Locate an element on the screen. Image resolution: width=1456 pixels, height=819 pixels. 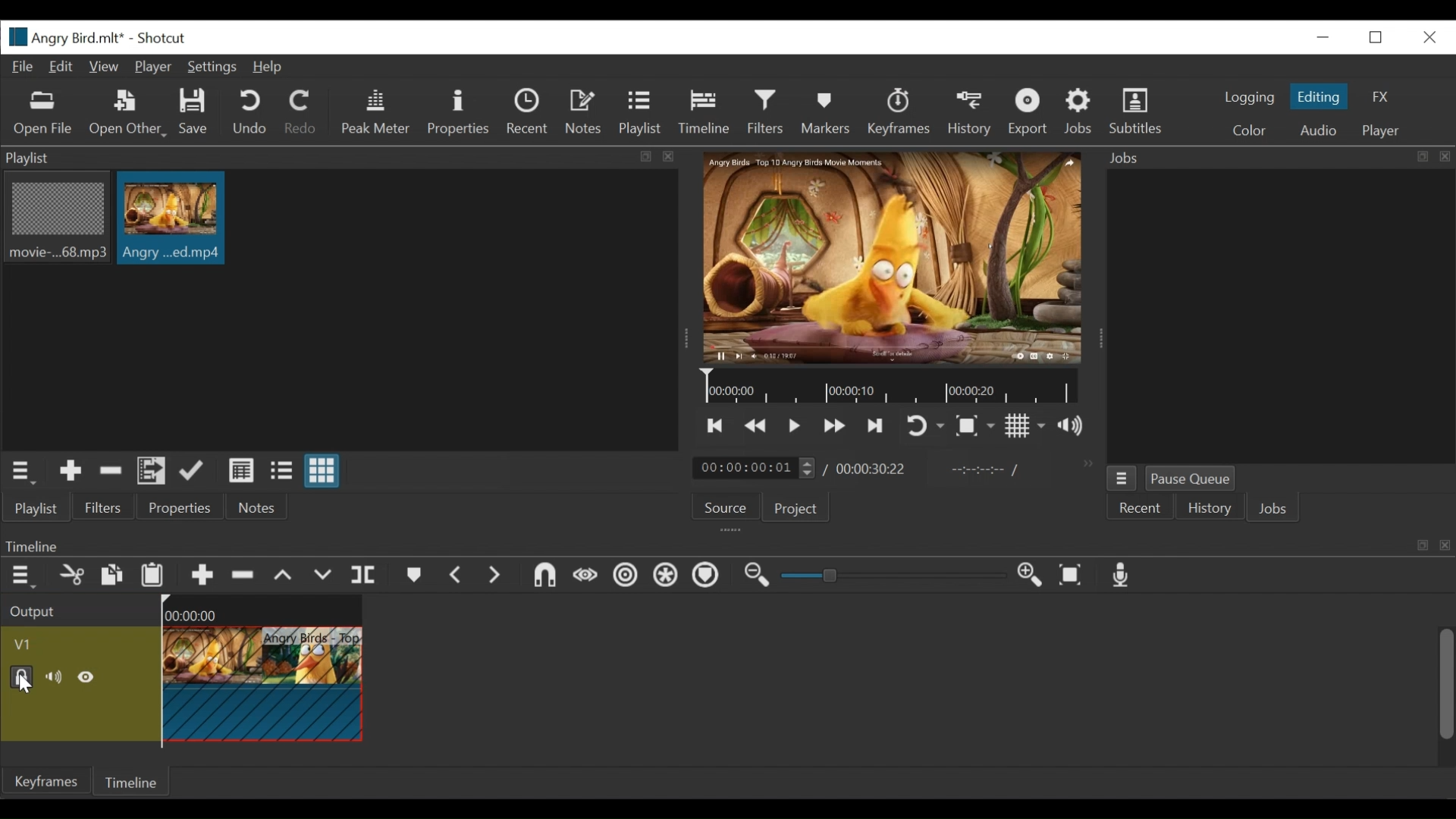
Jobs is located at coordinates (1081, 112).